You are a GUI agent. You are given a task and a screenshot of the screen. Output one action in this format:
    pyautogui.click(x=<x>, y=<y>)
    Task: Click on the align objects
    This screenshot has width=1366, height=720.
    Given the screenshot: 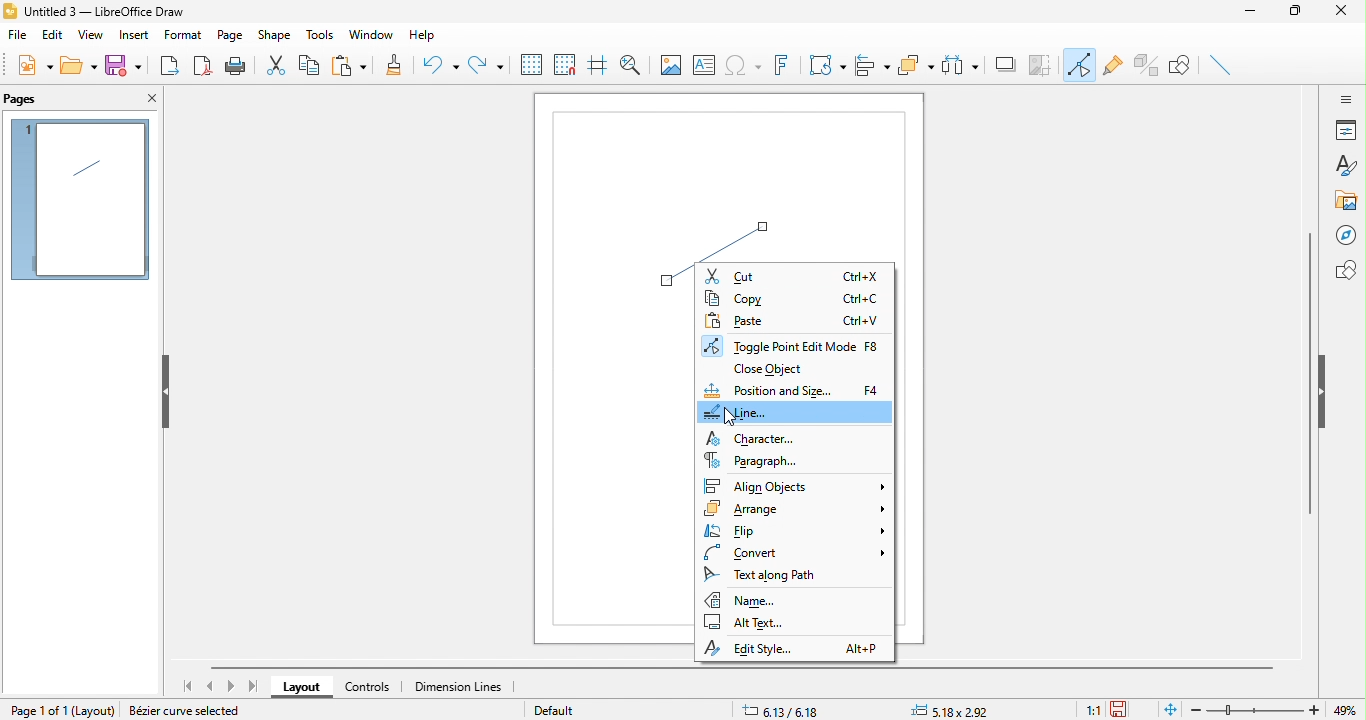 What is the action you would take?
    pyautogui.click(x=794, y=486)
    